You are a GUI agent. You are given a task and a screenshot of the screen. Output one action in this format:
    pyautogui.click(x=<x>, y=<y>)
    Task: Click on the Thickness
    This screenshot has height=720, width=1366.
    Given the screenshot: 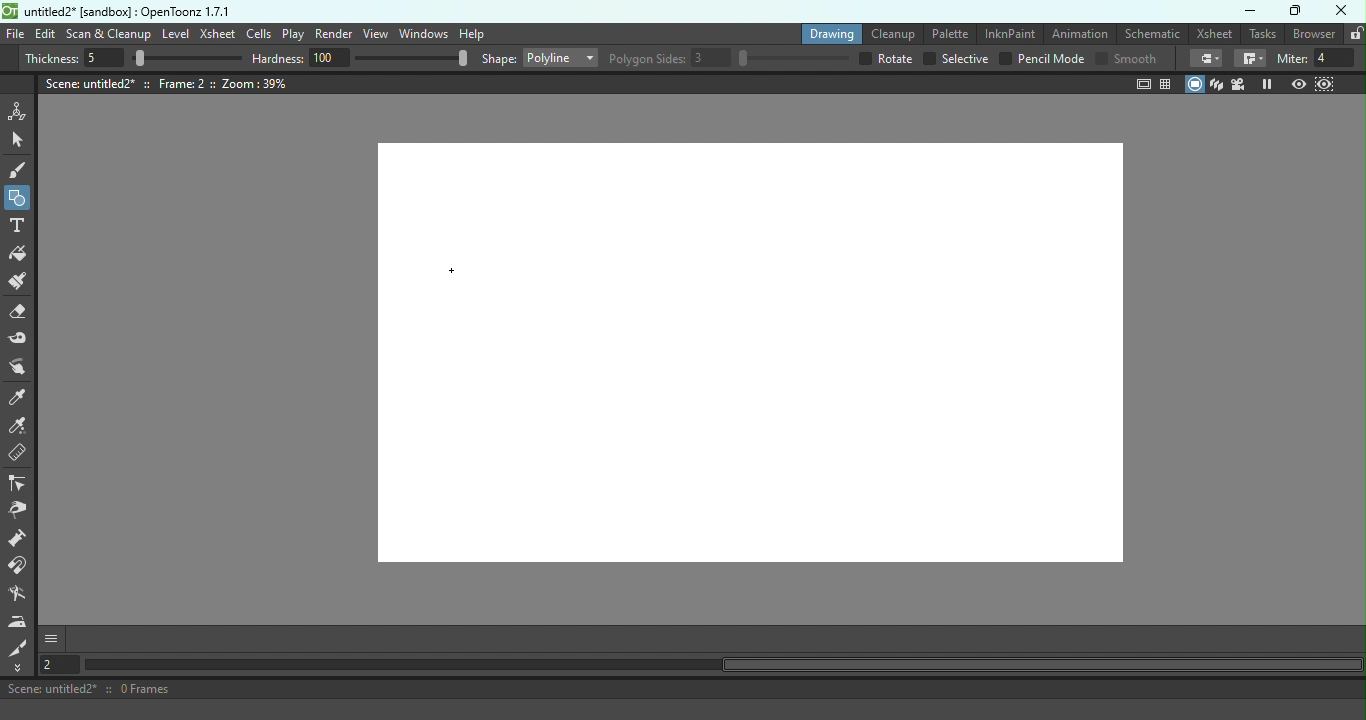 What is the action you would take?
    pyautogui.click(x=133, y=58)
    